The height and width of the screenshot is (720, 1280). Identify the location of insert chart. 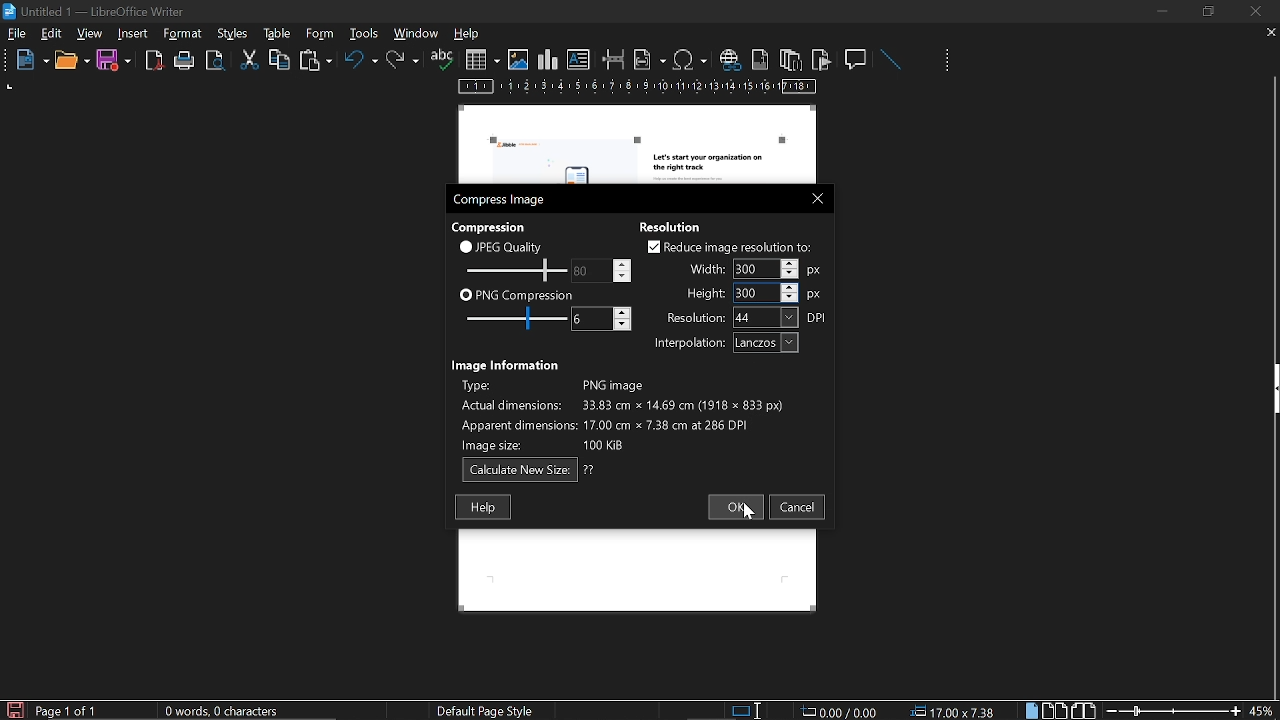
(548, 60).